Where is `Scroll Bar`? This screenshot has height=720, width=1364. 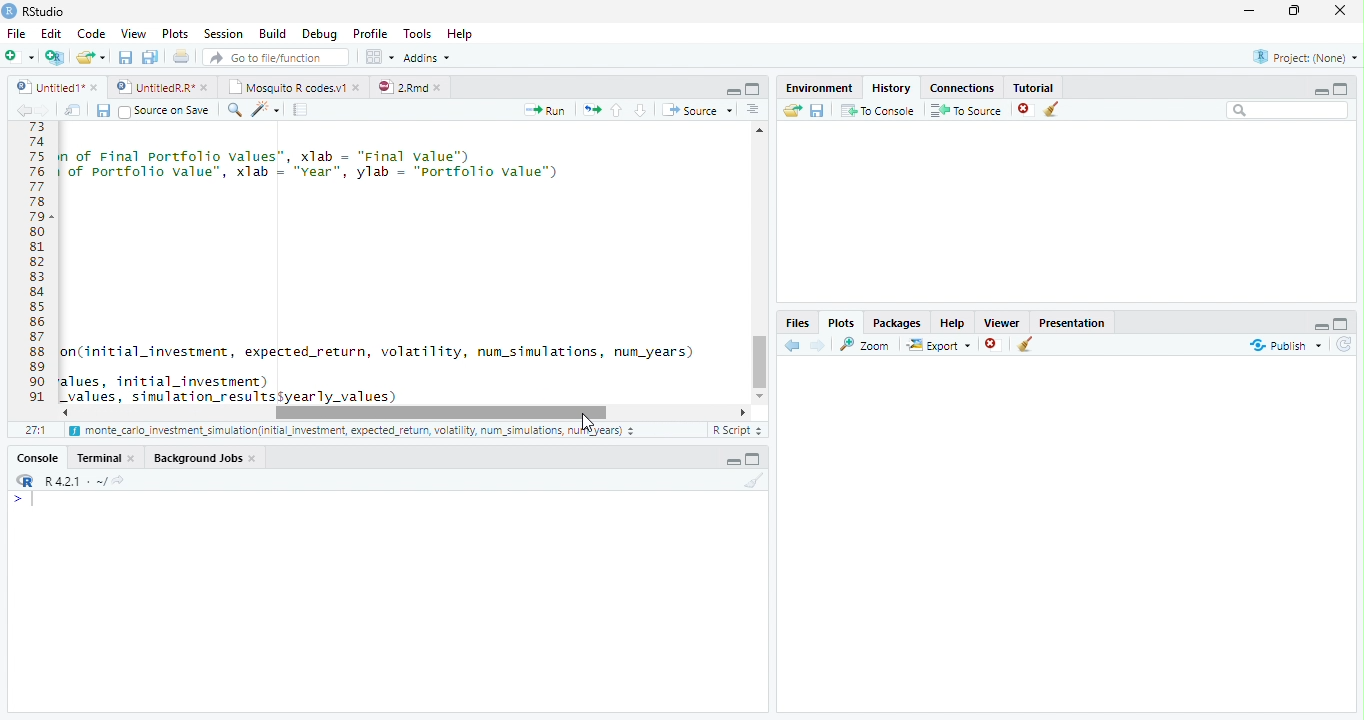
Scroll Bar is located at coordinates (760, 358).